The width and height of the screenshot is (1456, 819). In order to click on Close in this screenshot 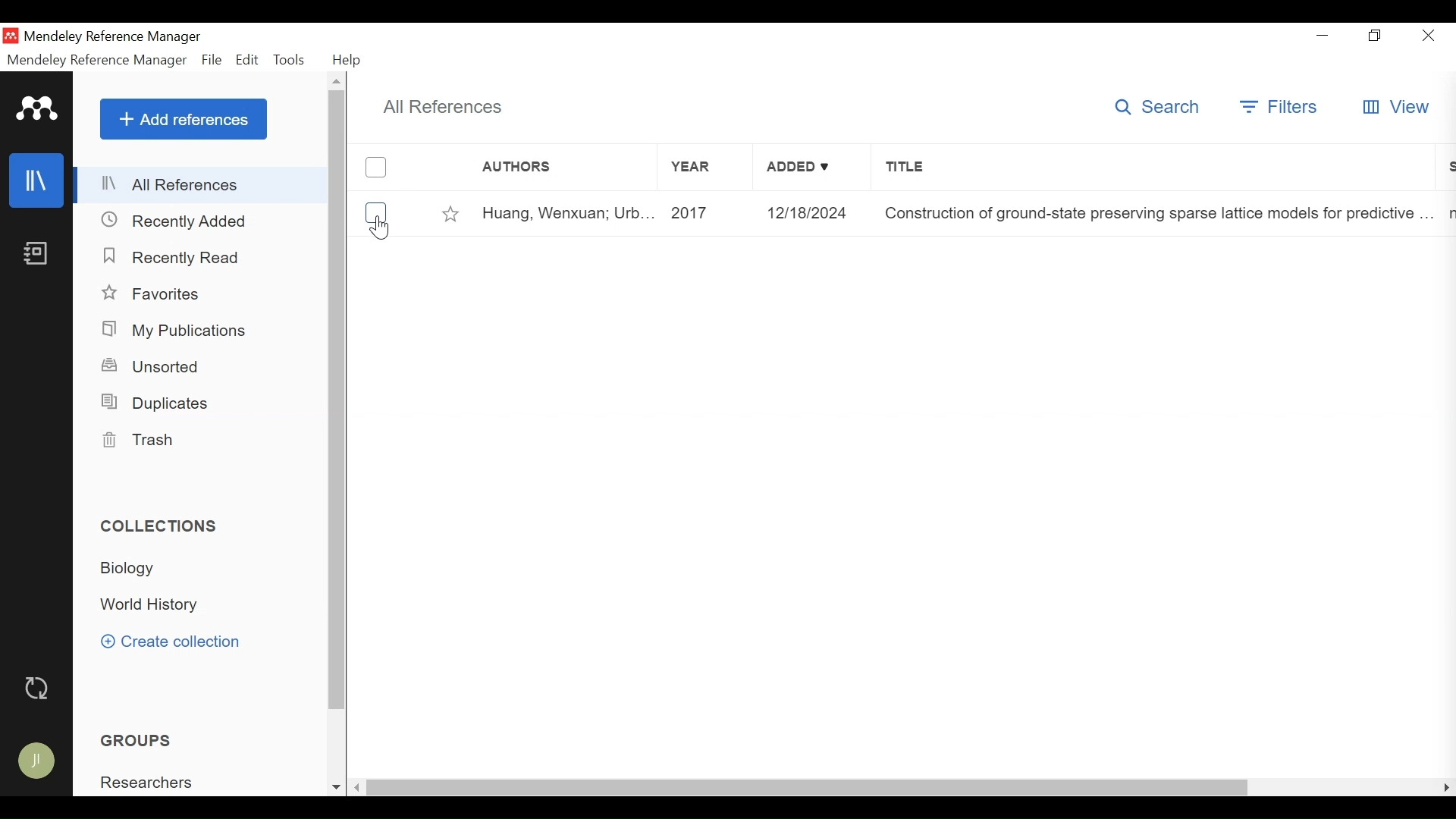, I will do `click(1429, 35)`.